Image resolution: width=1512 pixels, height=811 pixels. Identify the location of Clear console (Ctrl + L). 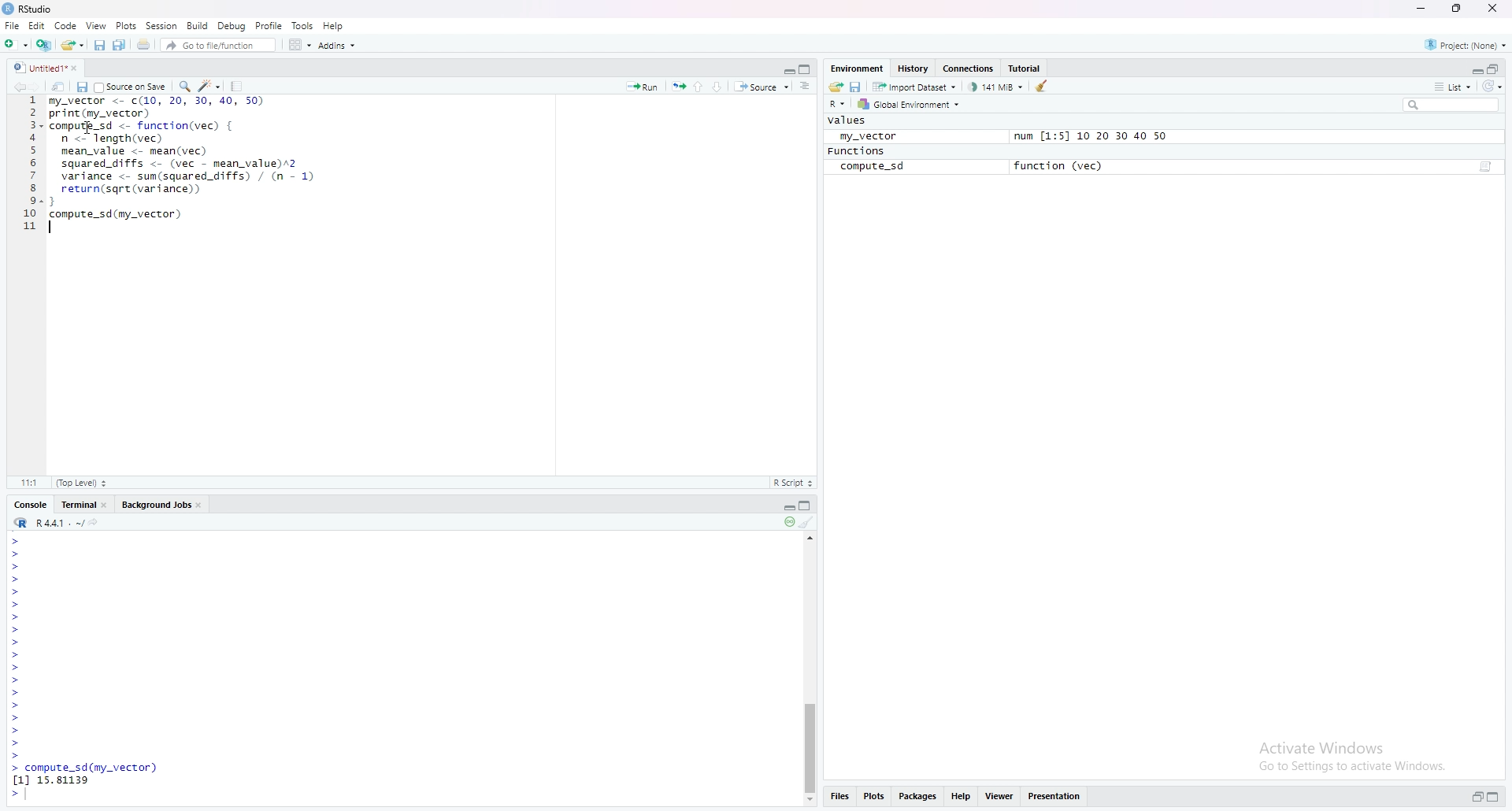
(808, 523).